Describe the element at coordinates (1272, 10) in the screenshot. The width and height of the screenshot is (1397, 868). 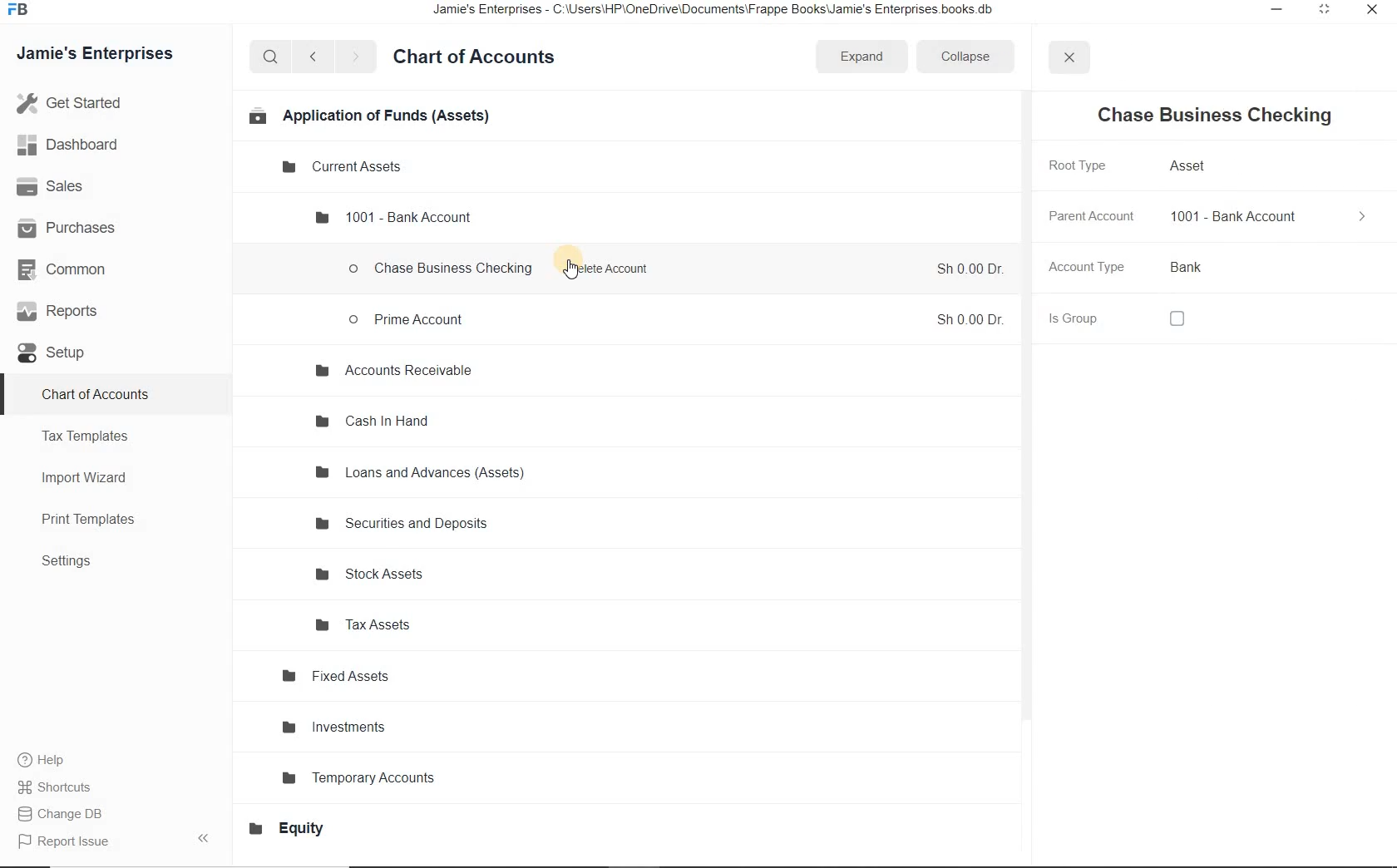
I see `minimize` at that location.